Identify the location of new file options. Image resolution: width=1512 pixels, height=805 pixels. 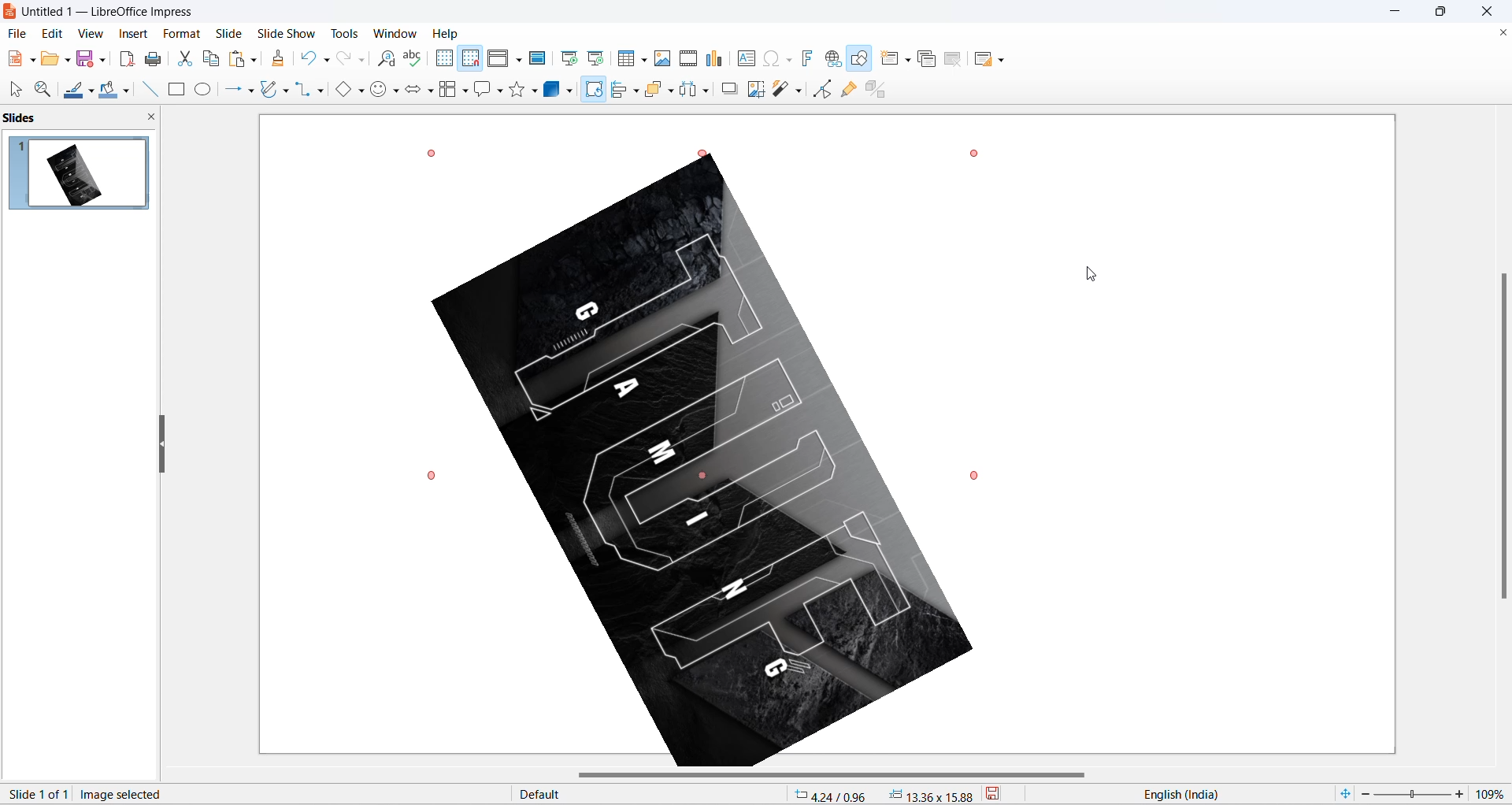
(34, 61).